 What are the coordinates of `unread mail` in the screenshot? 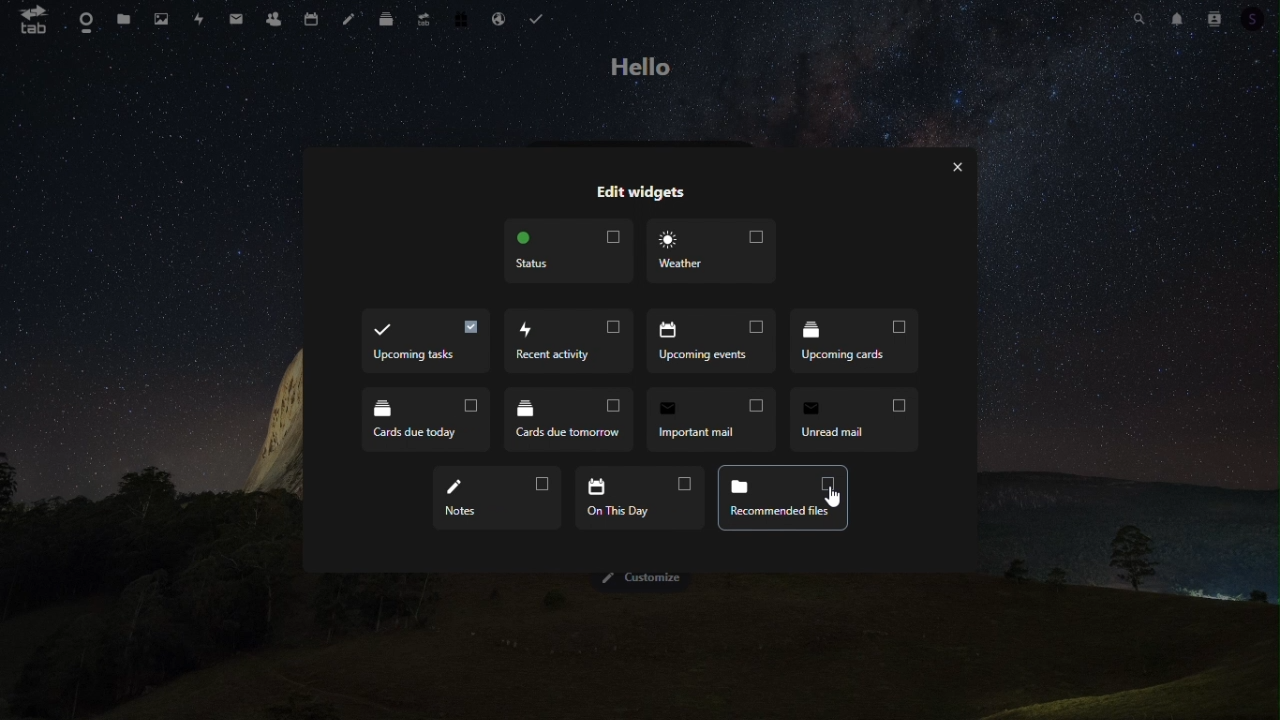 It's located at (714, 418).